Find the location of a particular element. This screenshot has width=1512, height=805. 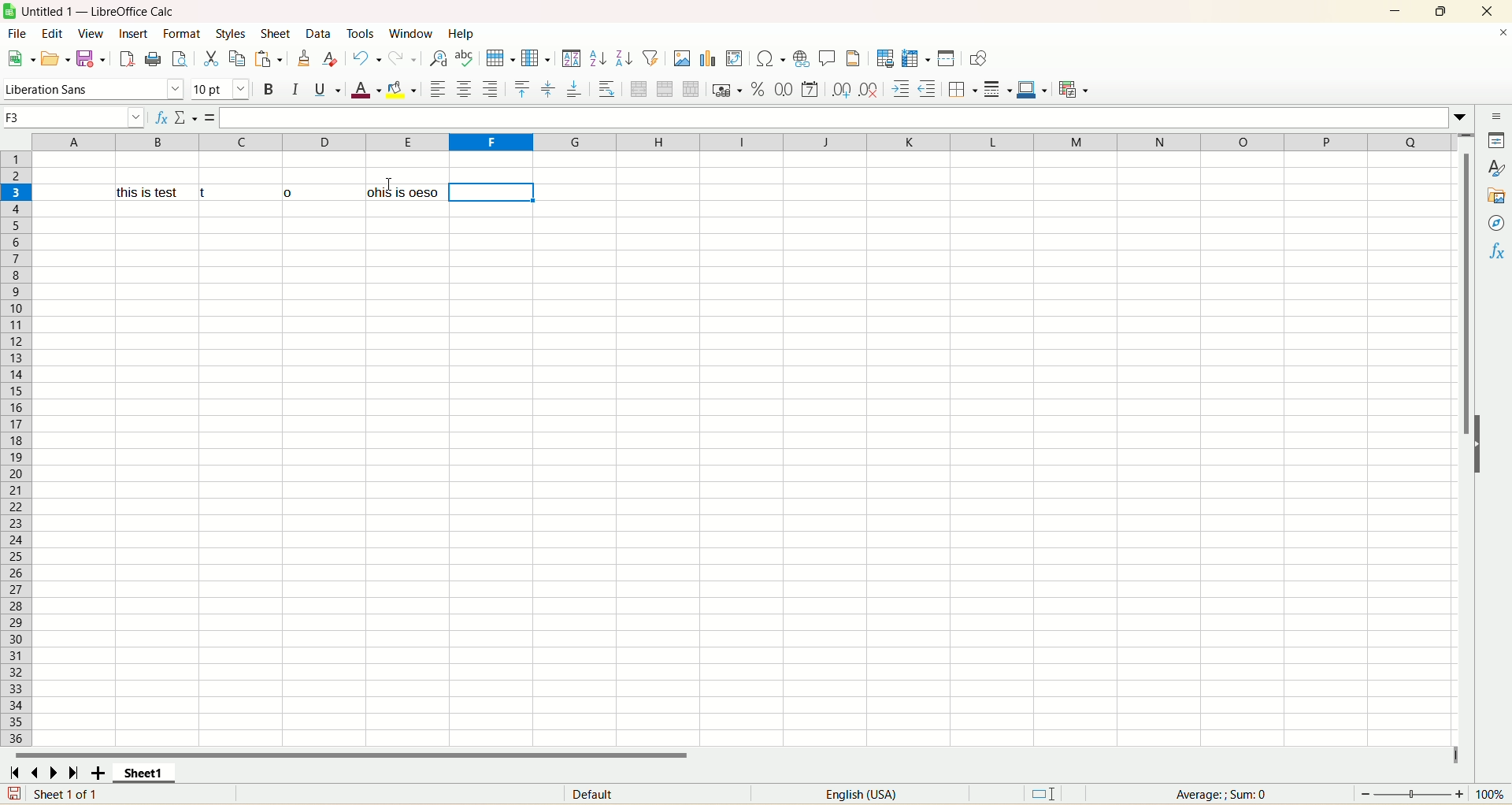

align center is located at coordinates (463, 87).